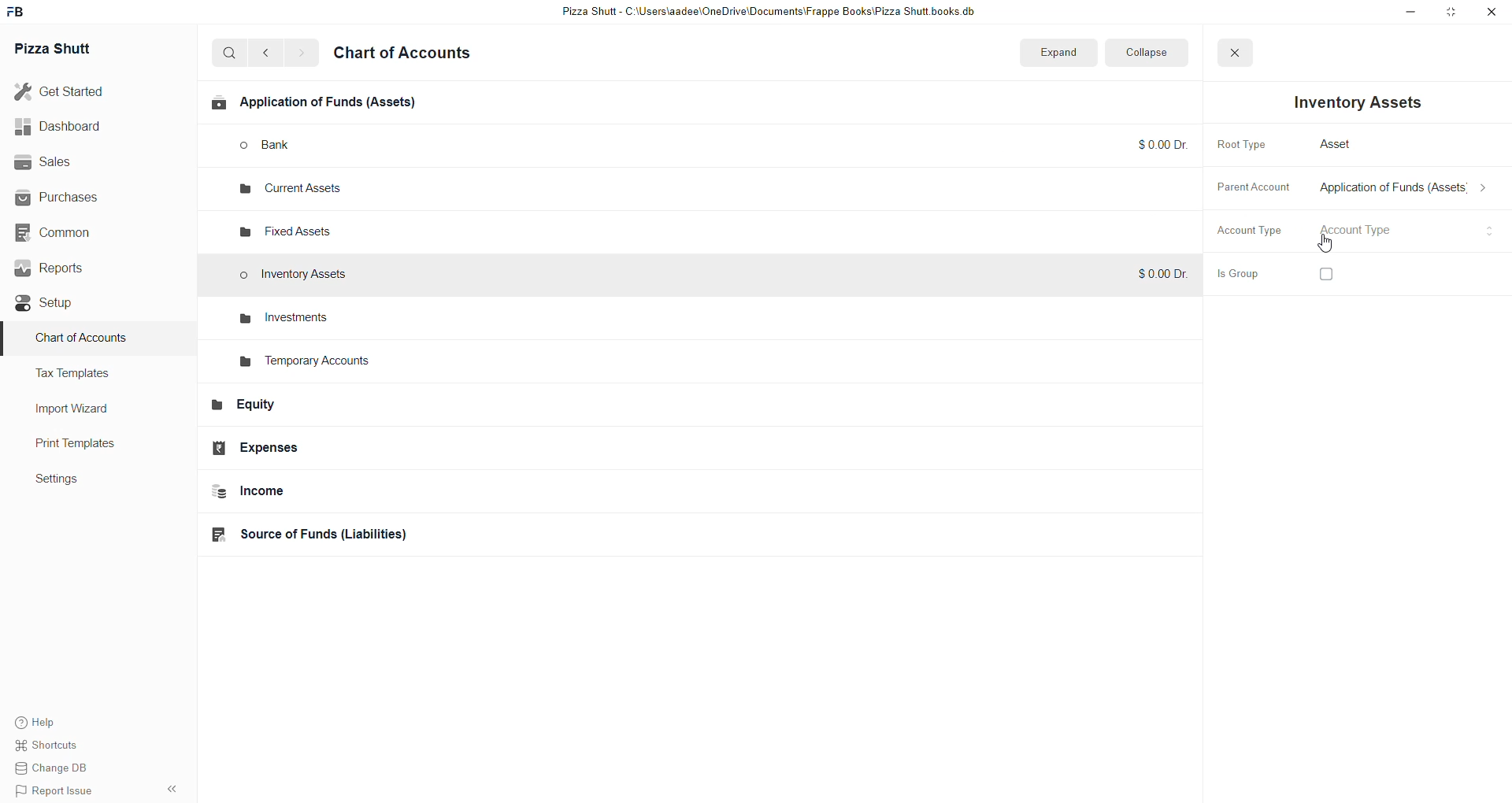 This screenshot has height=803, width=1512. Describe the element at coordinates (413, 55) in the screenshot. I see `Chart of accounts` at that location.